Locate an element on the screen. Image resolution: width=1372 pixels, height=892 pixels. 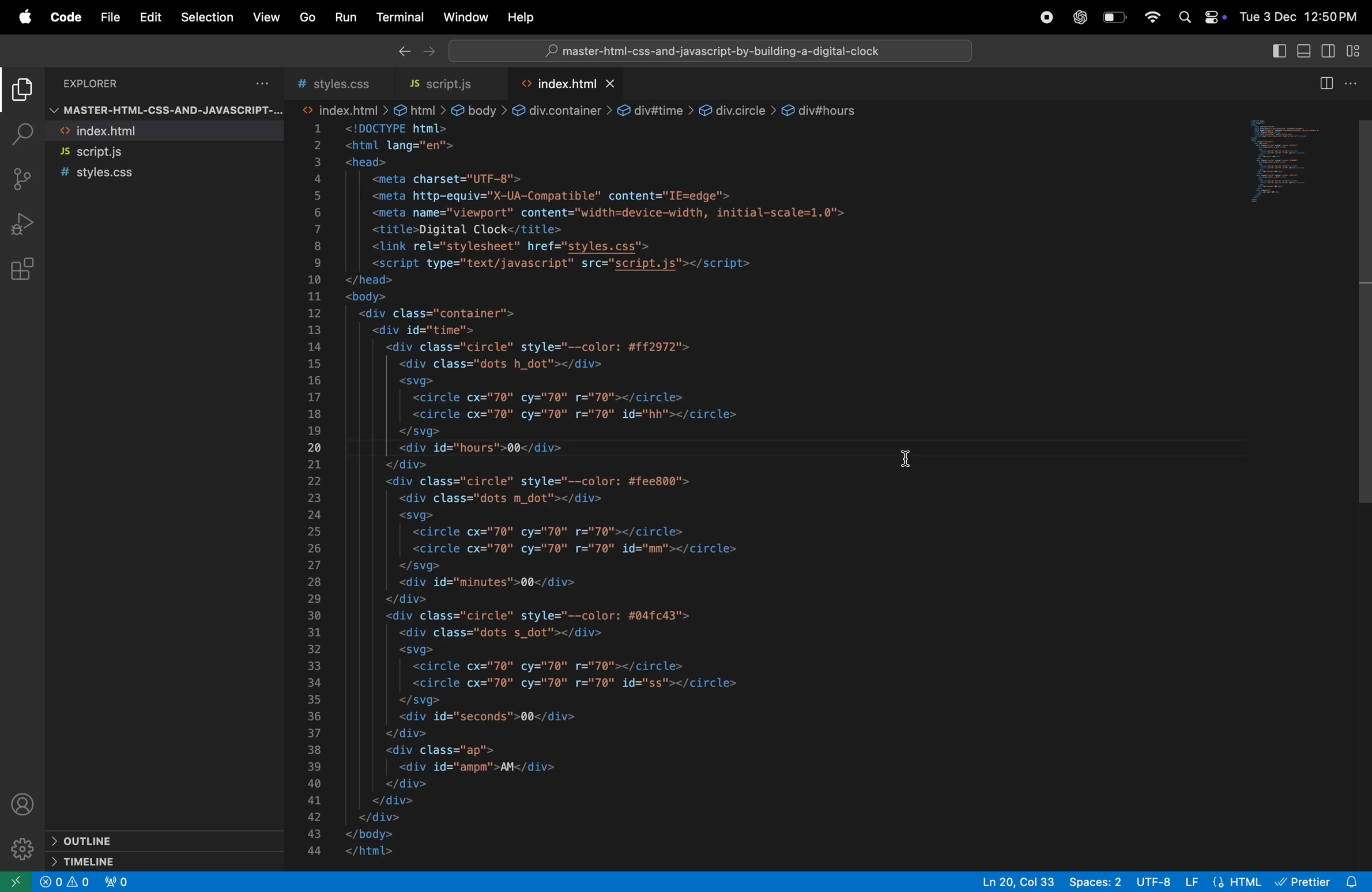
apple menu is located at coordinates (24, 17).